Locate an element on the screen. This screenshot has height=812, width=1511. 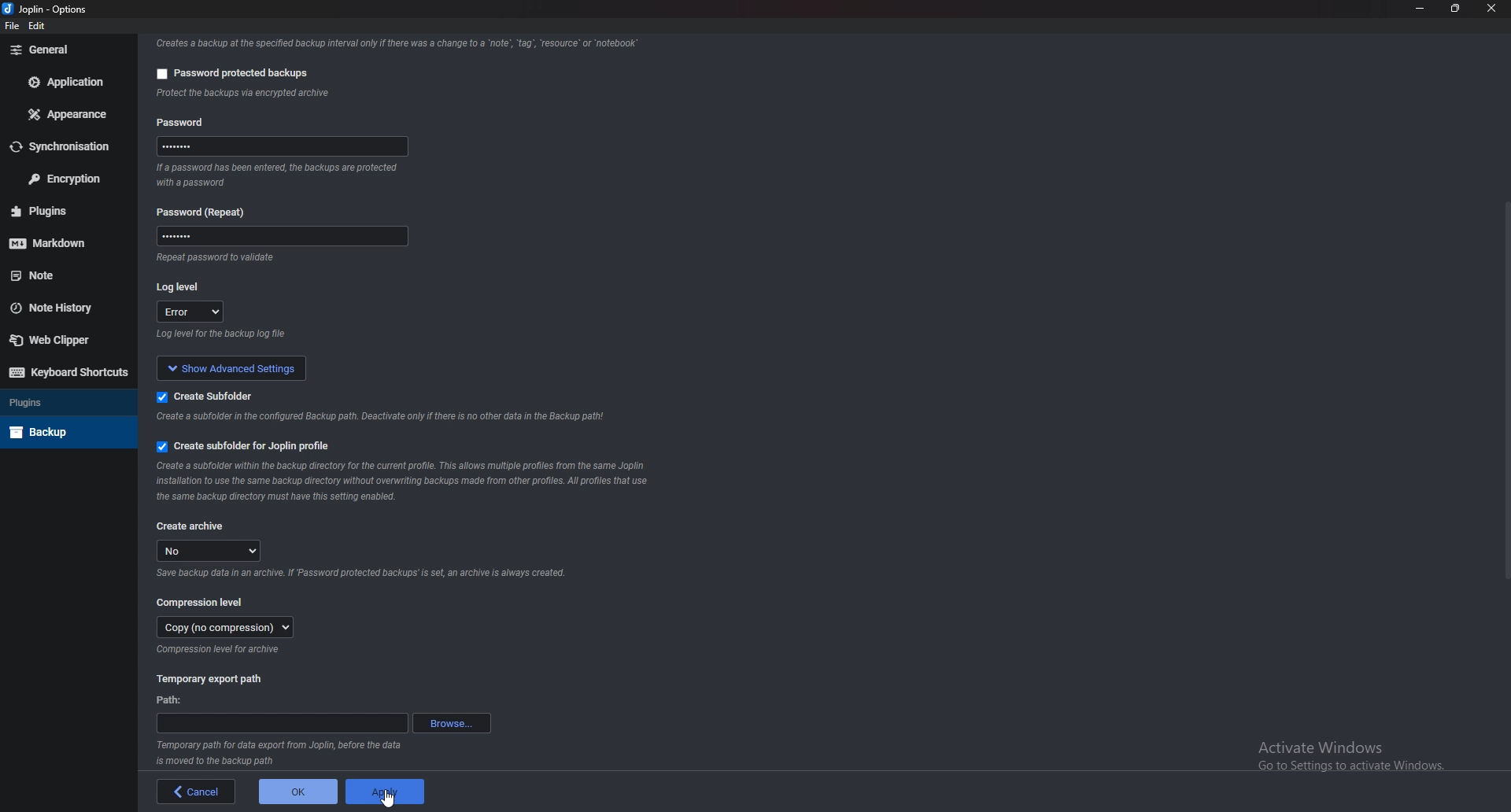
error is located at coordinates (192, 313).